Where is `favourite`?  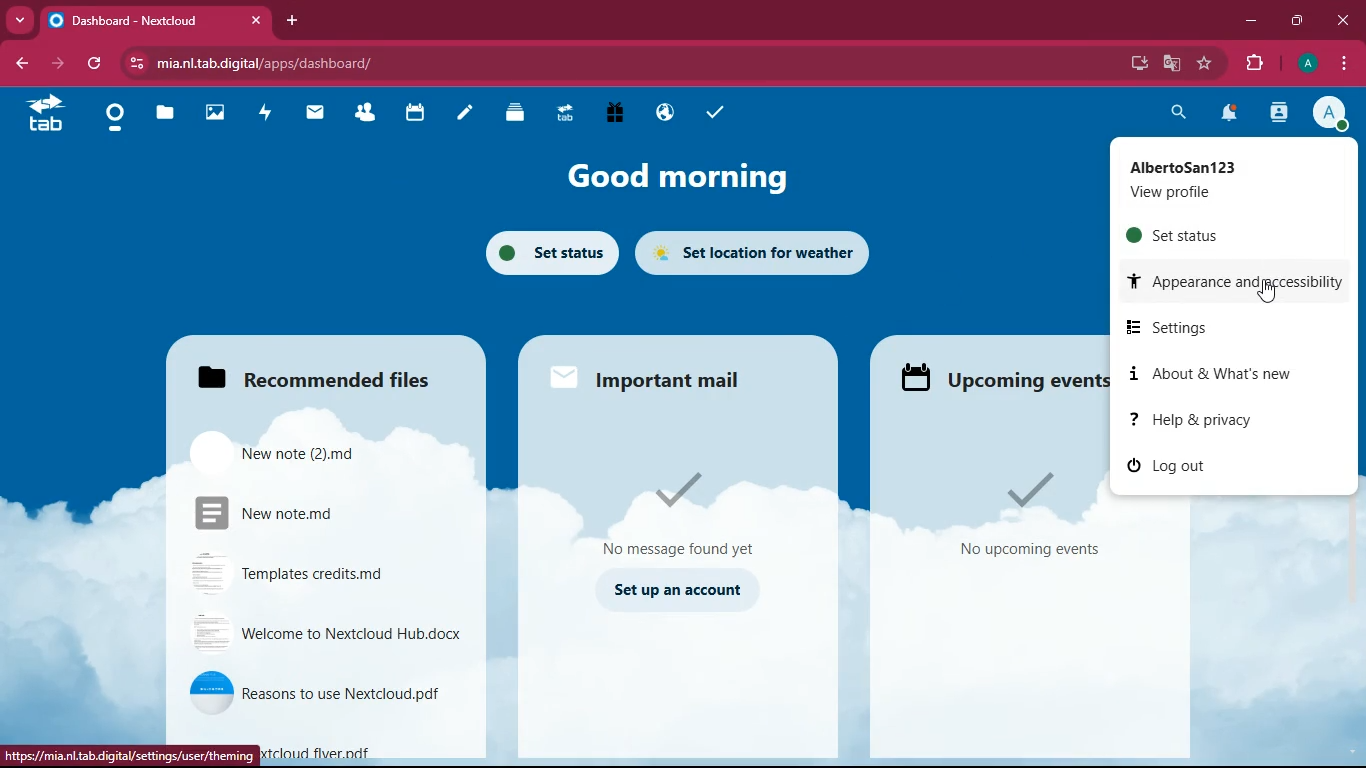
favourite is located at coordinates (1201, 64).